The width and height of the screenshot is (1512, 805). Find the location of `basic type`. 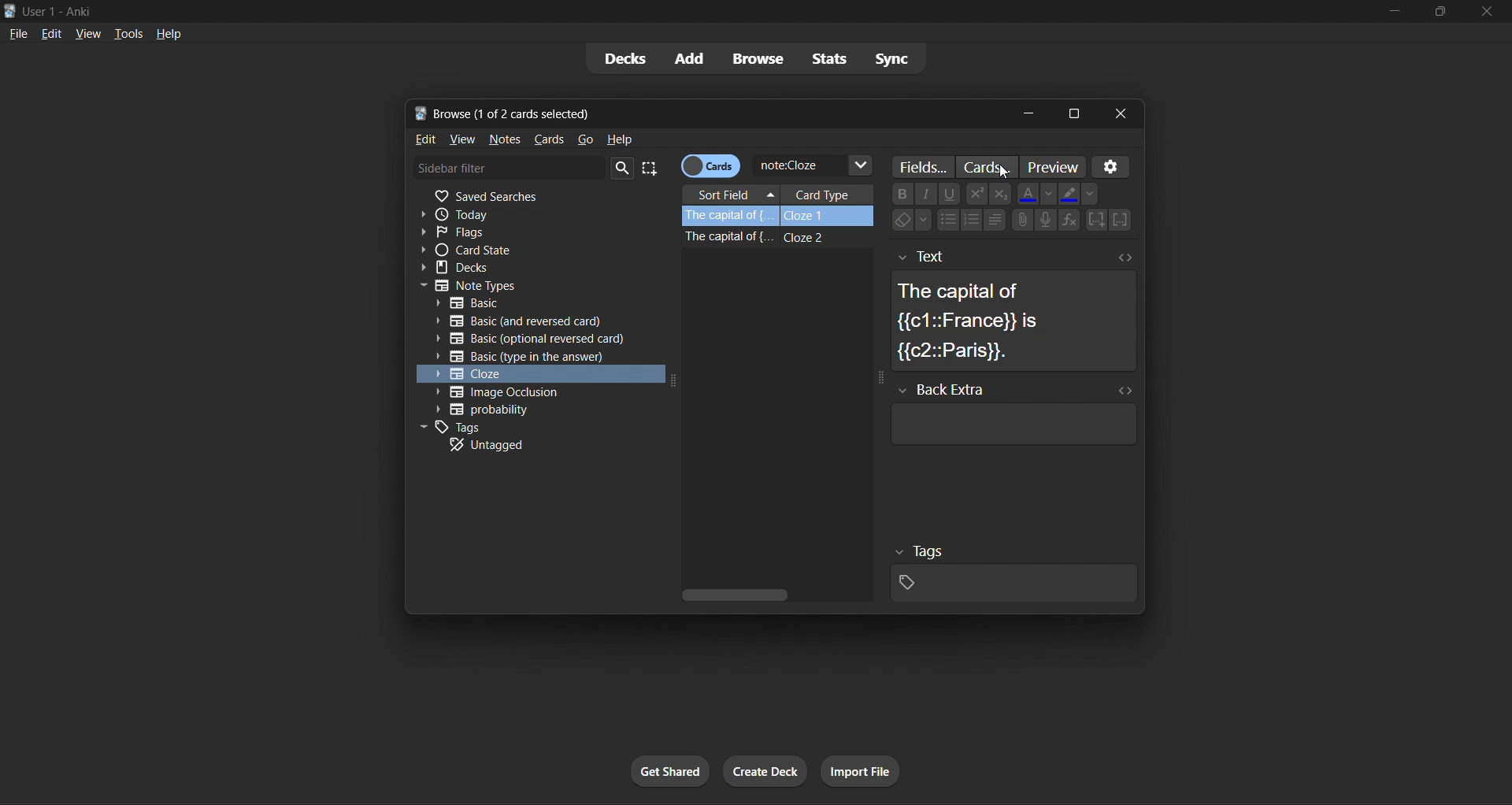

basic type is located at coordinates (536, 303).